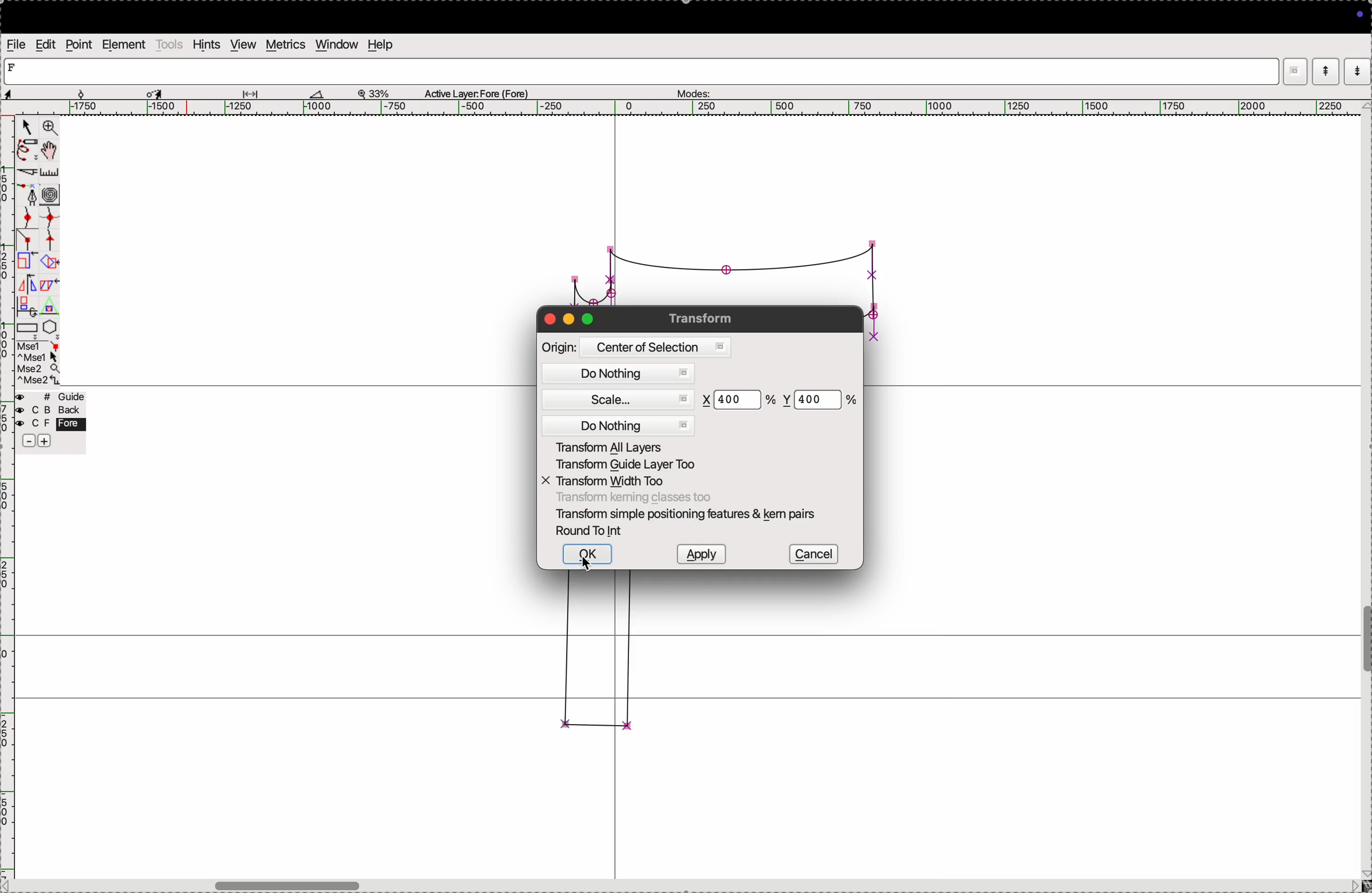  I want to click on toogle, so click(1366, 643).